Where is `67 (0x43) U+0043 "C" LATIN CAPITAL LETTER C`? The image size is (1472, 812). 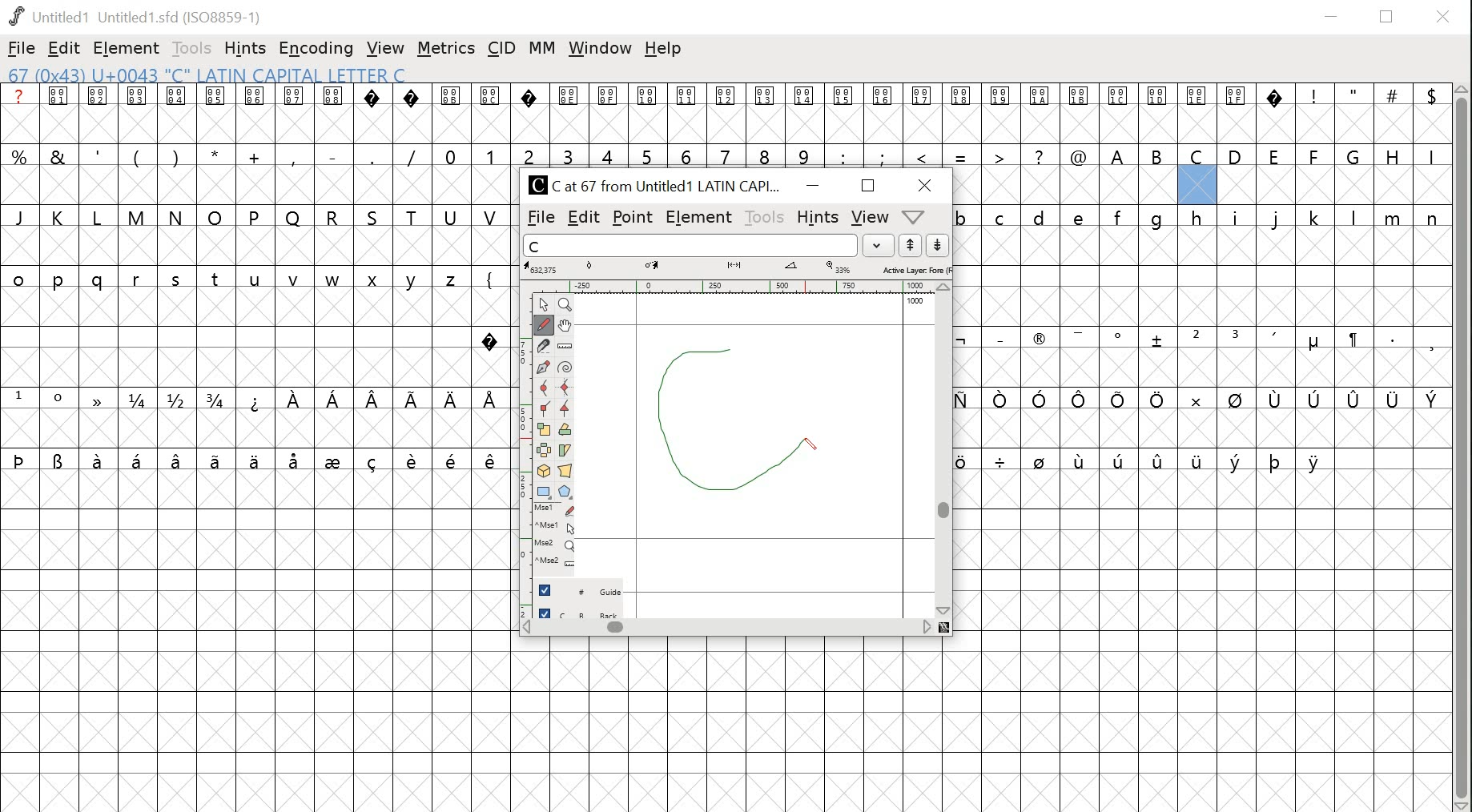
67 (0x43) U+0043 "C" LATIN CAPITAL LETTER C is located at coordinates (211, 75).